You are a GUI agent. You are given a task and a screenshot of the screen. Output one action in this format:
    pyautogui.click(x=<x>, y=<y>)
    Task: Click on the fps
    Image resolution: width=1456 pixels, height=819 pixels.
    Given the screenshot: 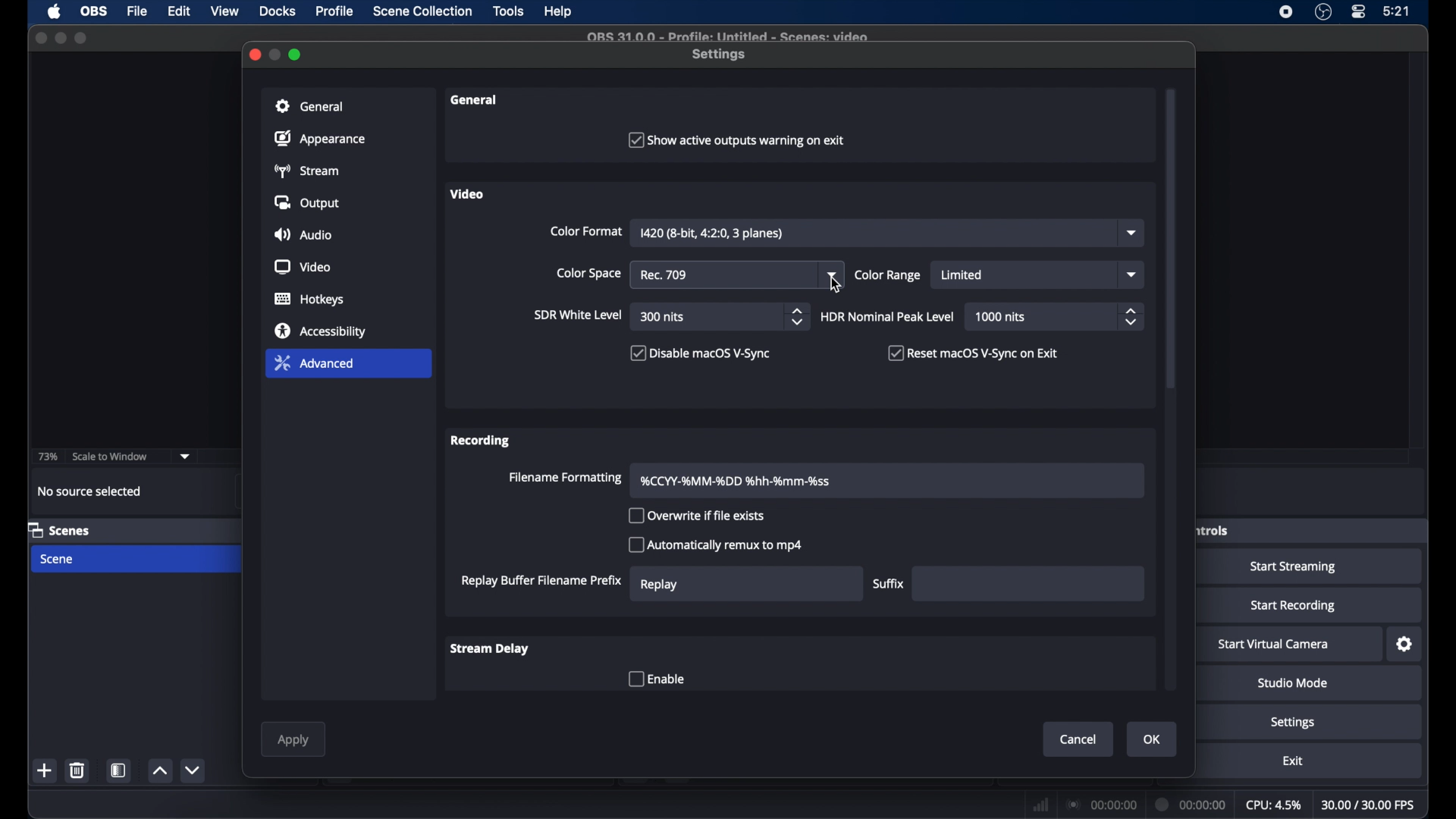 What is the action you would take?
    pyautogui.click(x=1368, y=805)
    